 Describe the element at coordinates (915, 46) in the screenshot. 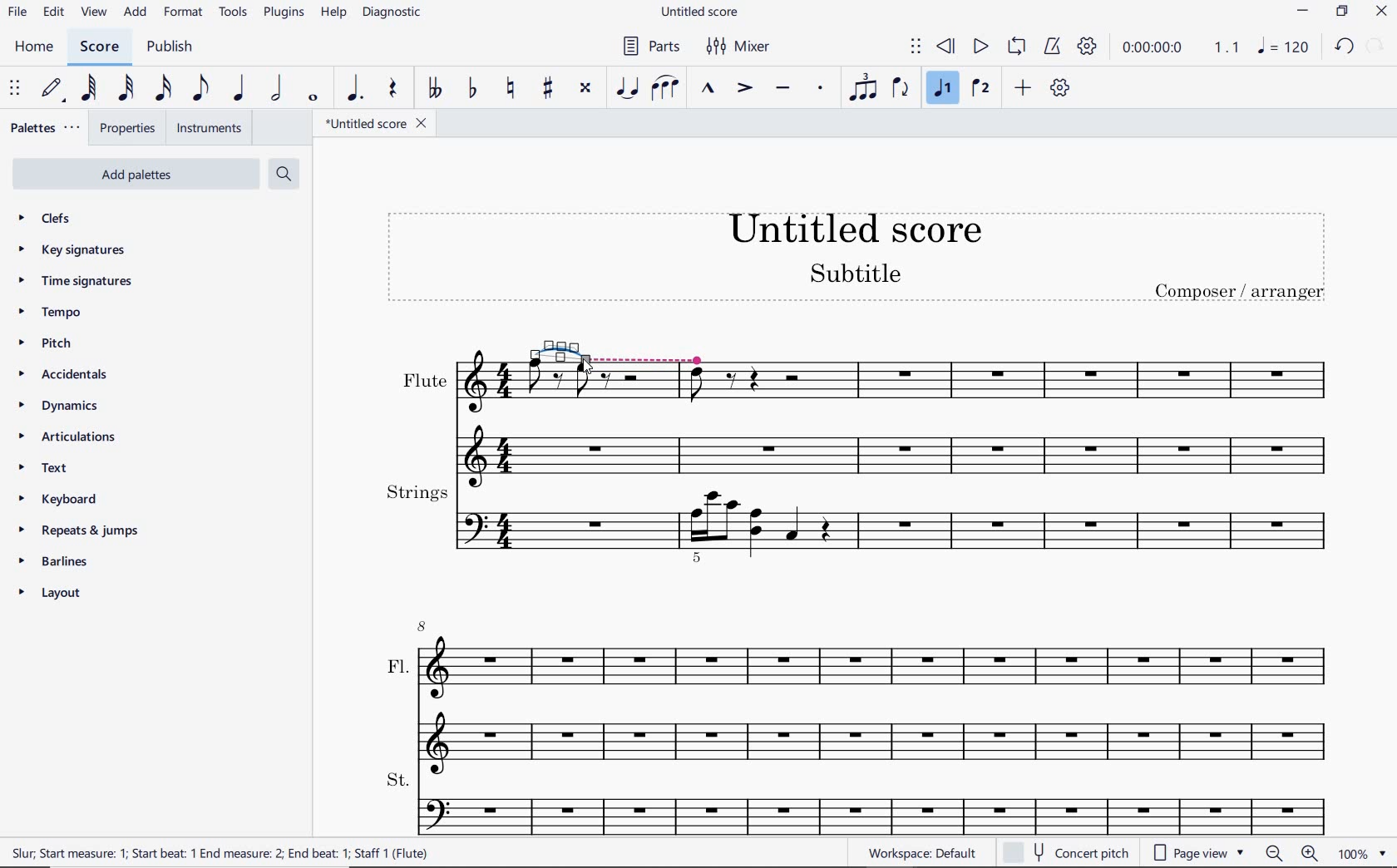

I see `SELECT TO MOVE` at that location.